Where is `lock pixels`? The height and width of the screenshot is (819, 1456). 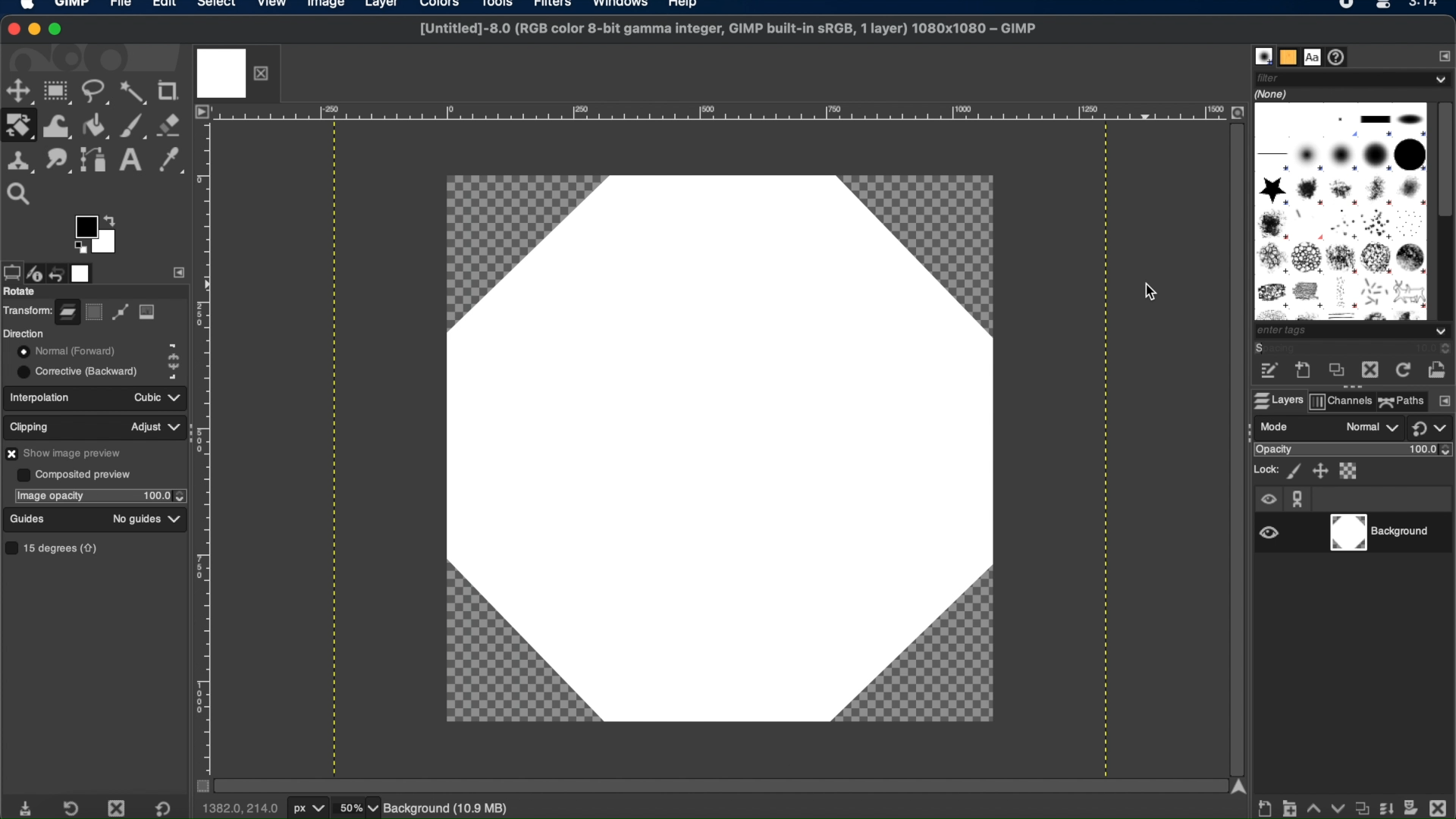 lock pixels is located at coordinates (1293, 471).